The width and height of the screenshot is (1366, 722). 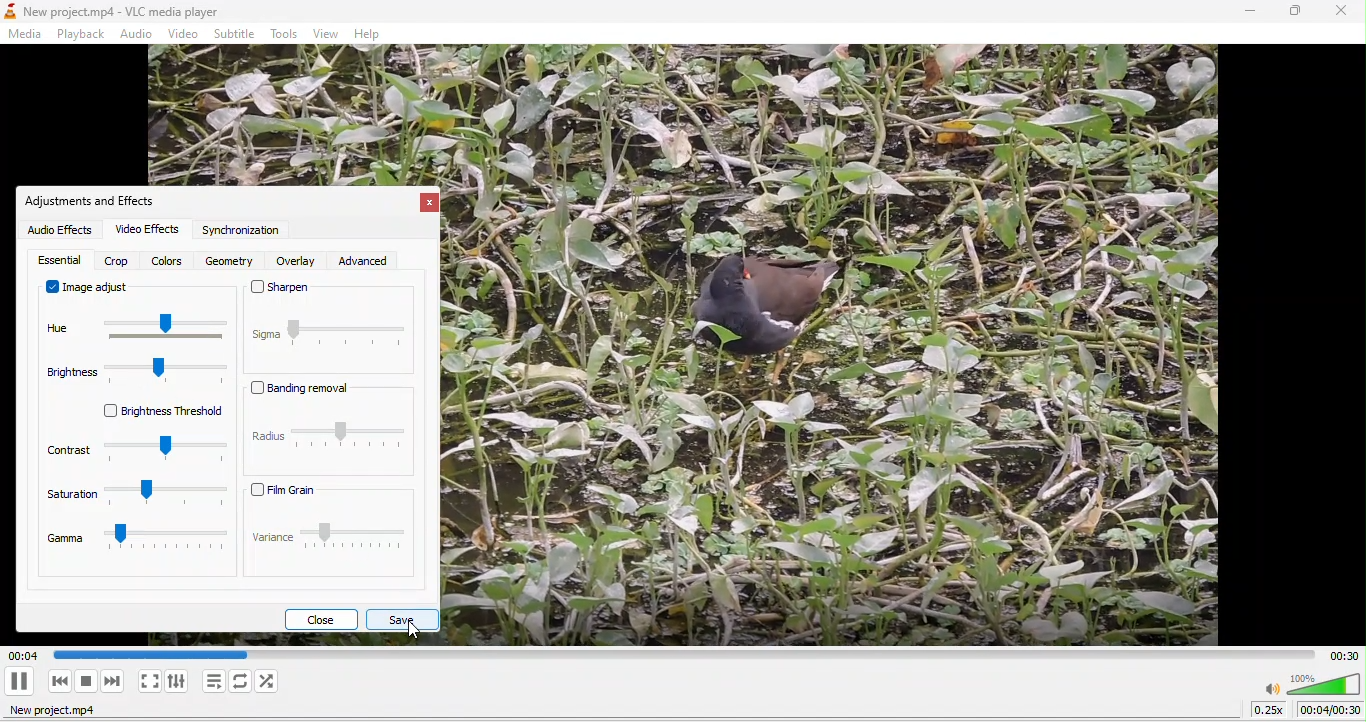 I want to click on tools, so click(x=286, y=35).